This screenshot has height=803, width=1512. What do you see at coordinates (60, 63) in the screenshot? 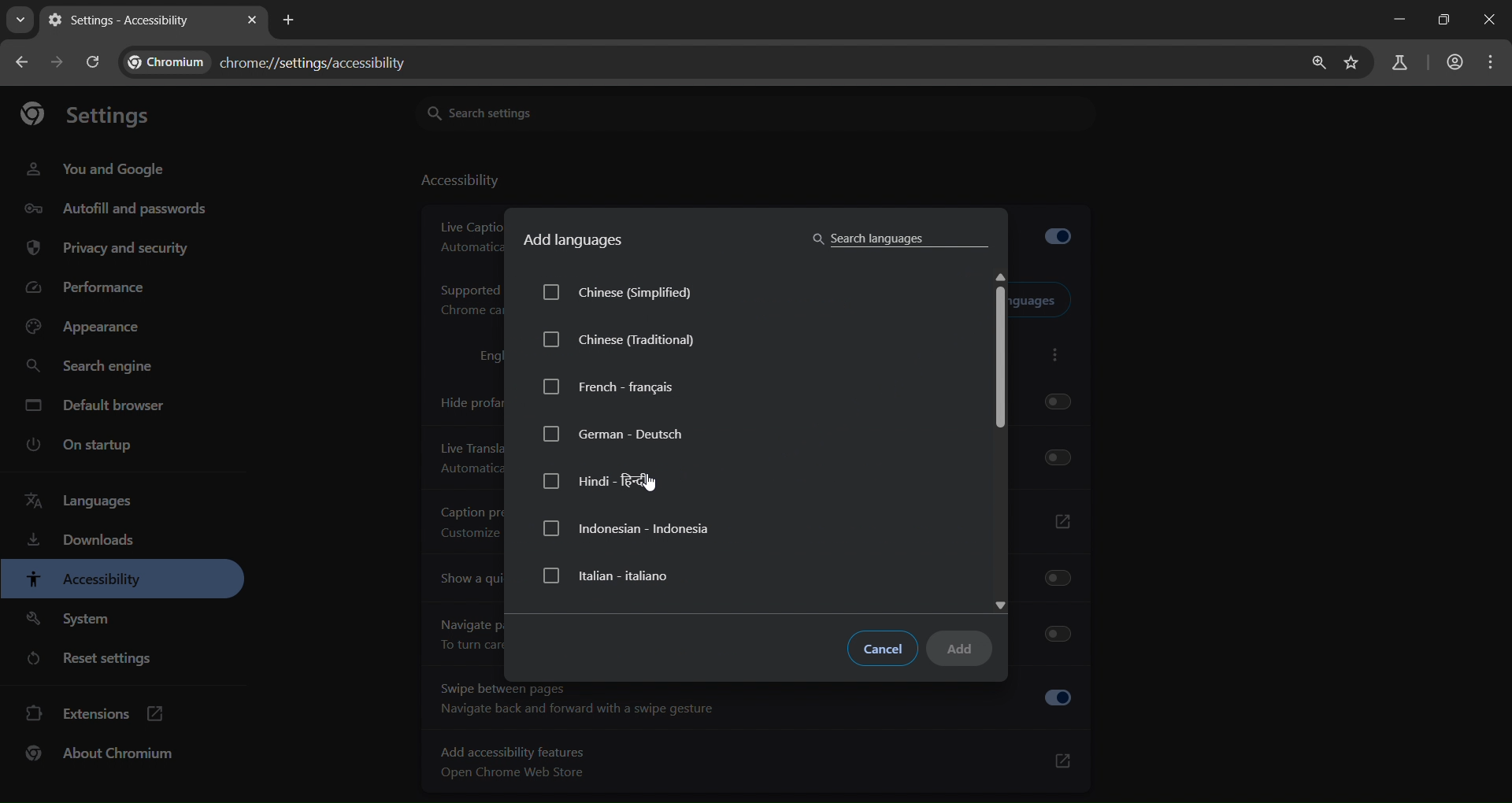
I see `go forward one page` at bounding box center [60, 63].